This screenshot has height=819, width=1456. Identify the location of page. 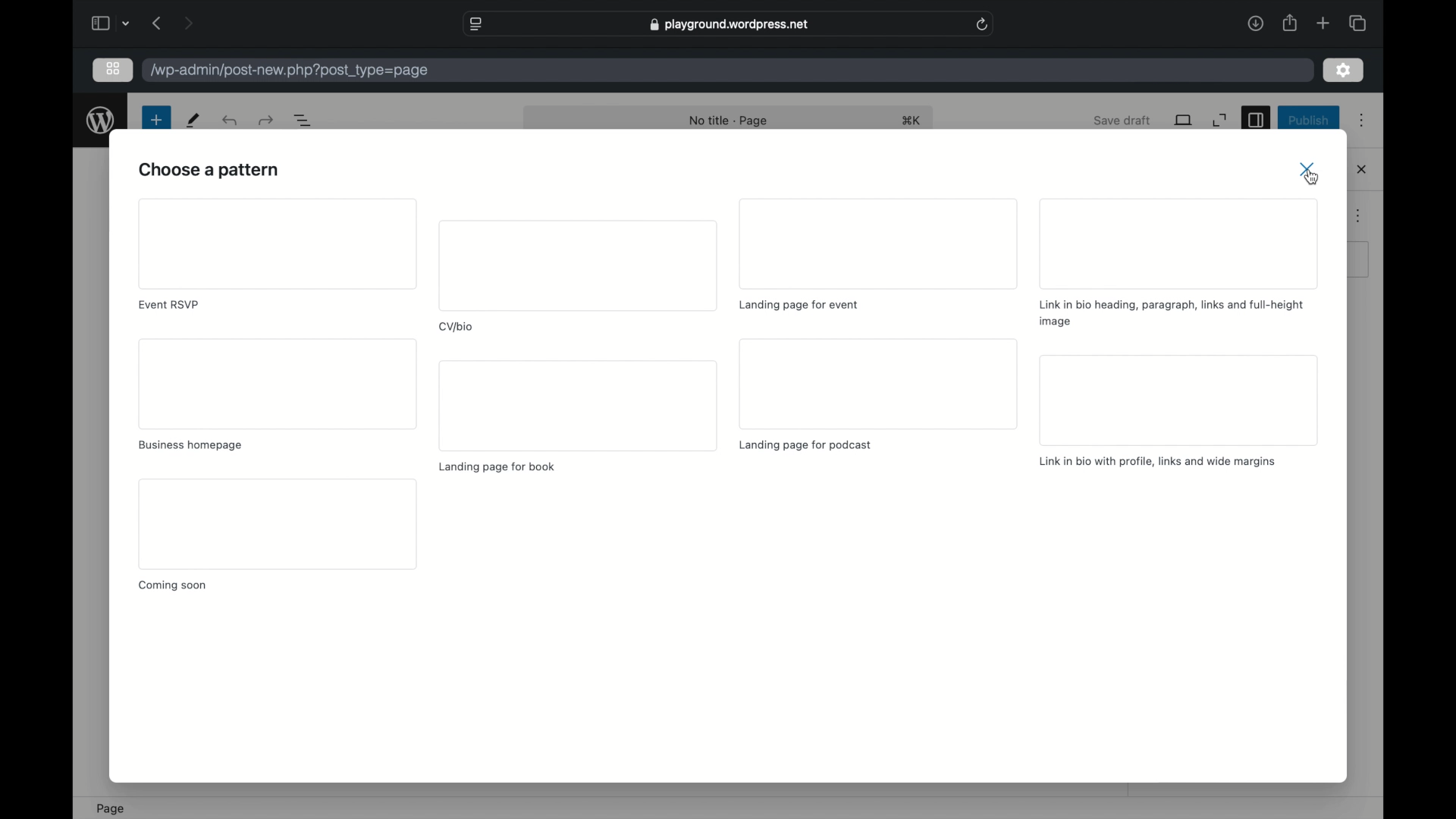
(111, 808).